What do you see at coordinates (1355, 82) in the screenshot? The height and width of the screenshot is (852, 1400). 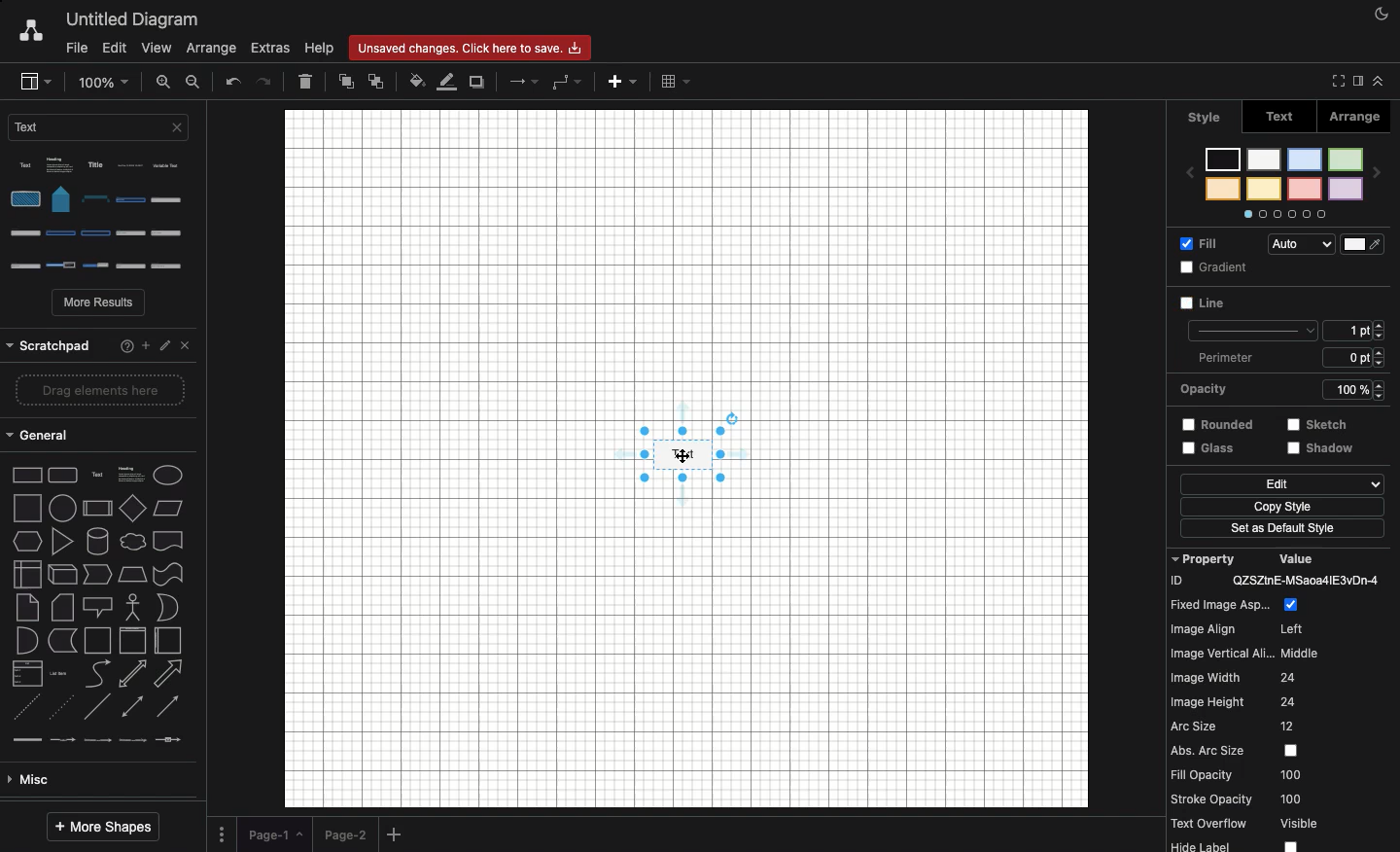 I see `Sidebar` at bounding box center [1355, 82].